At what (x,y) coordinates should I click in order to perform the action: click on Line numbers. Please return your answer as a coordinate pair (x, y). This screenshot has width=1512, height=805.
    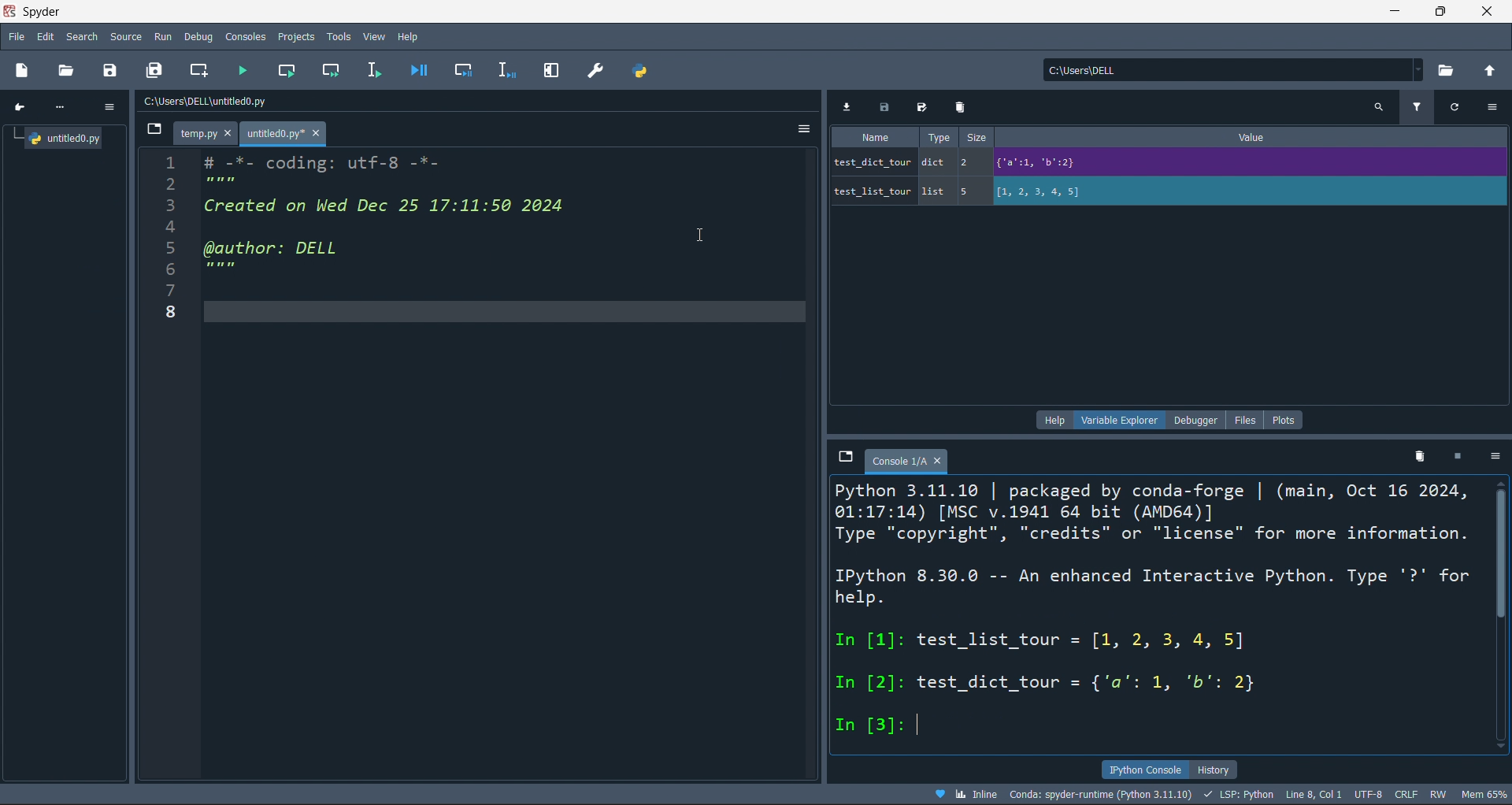
    Looking at the image, I should click on (166, 250).